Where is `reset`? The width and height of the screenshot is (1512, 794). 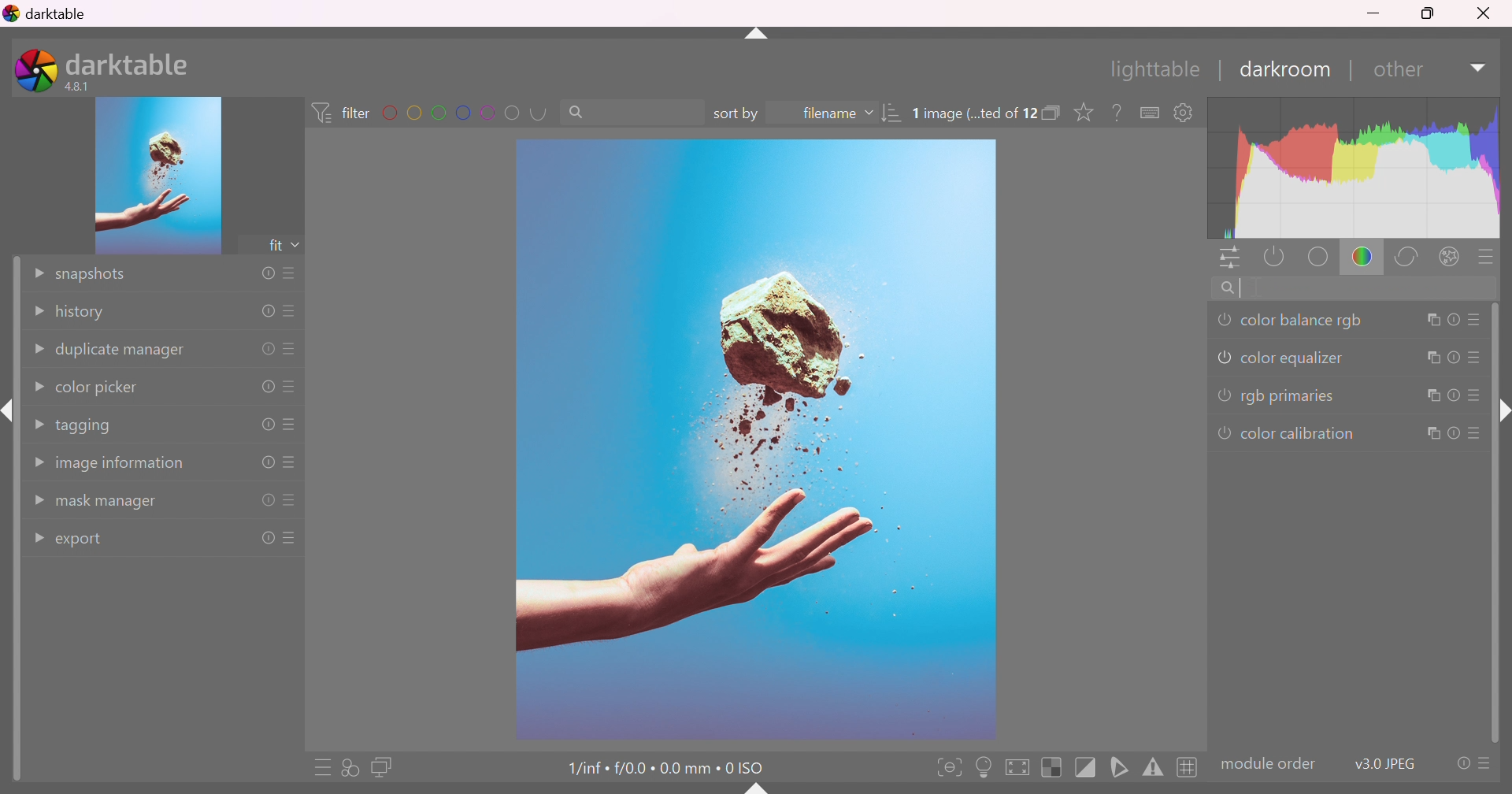 reset is located at coordinates (267, 311).